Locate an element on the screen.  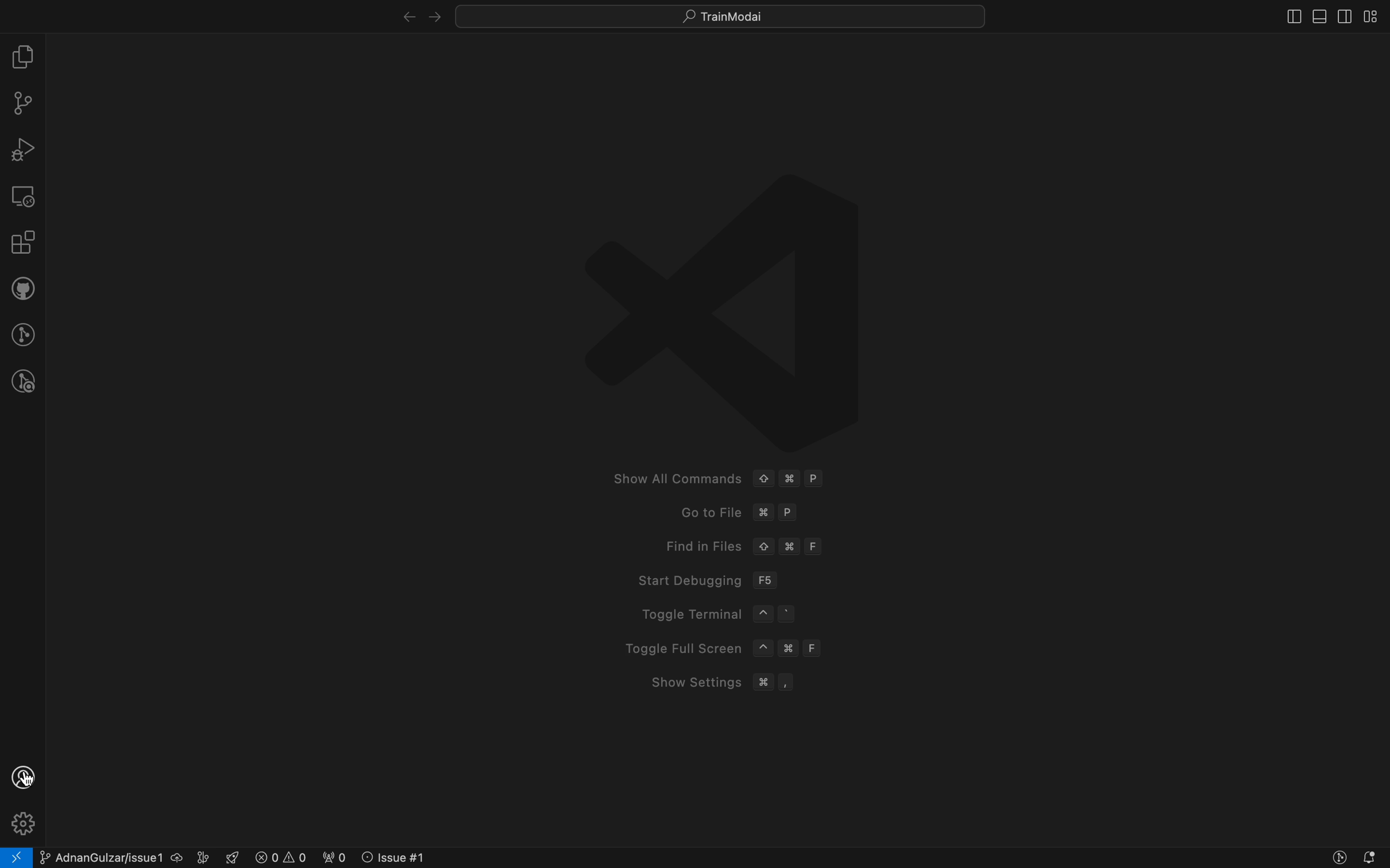
quick menus is located at coordinates (717, 14).